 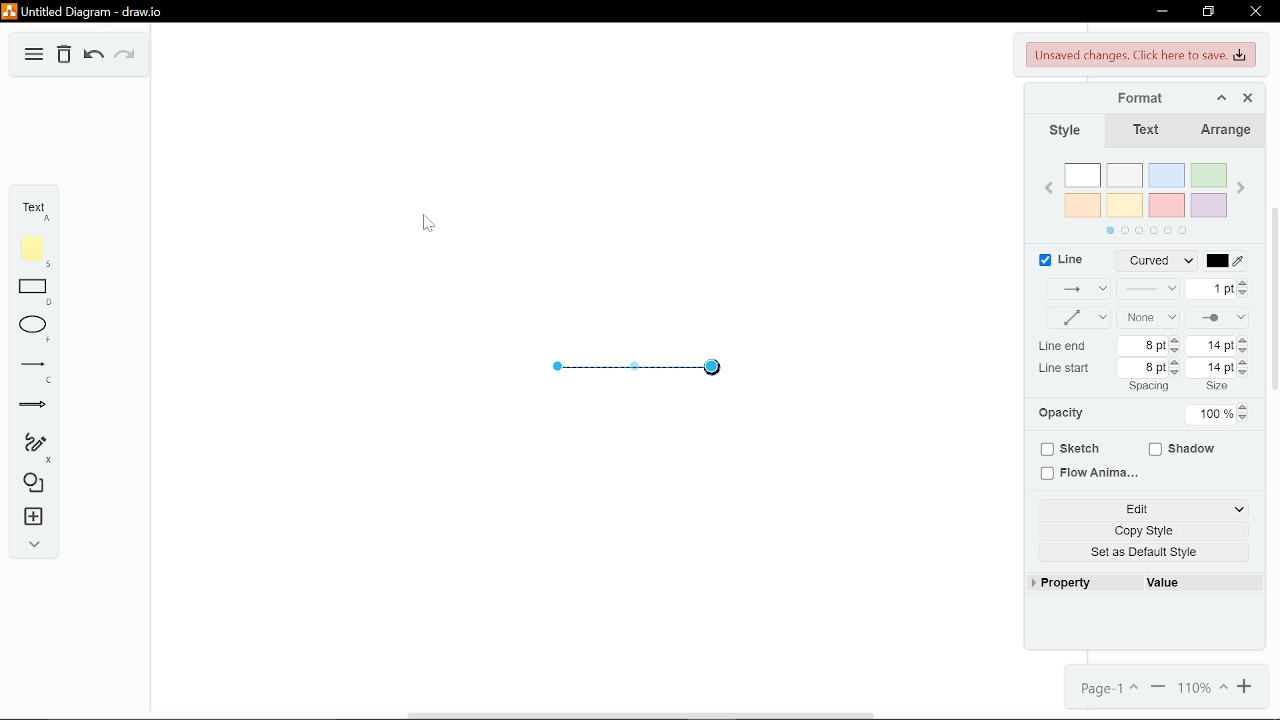 What do you see at coordinates (1139, 56) in the screenshot?
I see `Unsaved changes. click here to save` at bounding box center [1139, 56].